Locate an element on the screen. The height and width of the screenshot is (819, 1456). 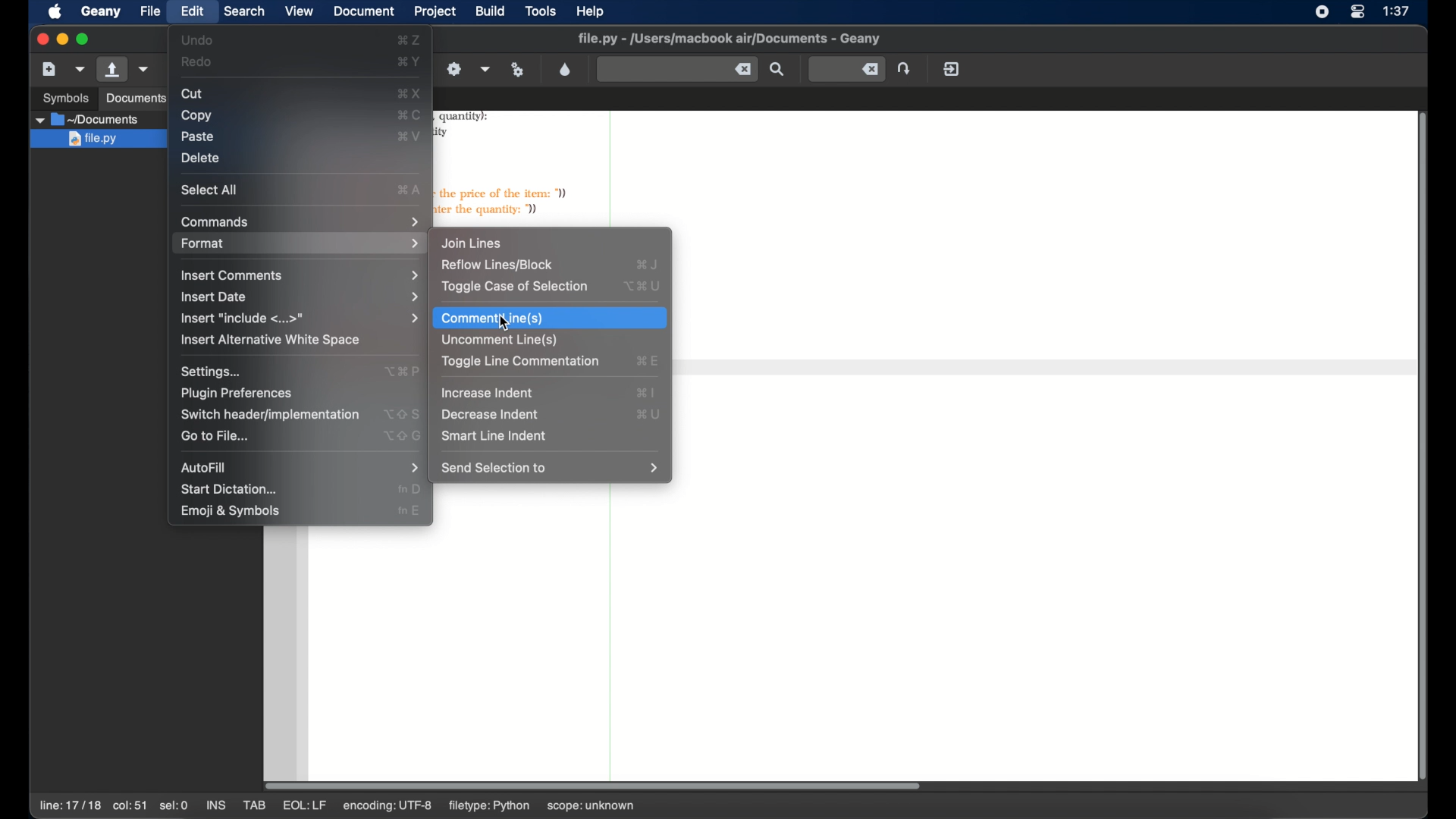
paste is located at coordinates (197, 137).